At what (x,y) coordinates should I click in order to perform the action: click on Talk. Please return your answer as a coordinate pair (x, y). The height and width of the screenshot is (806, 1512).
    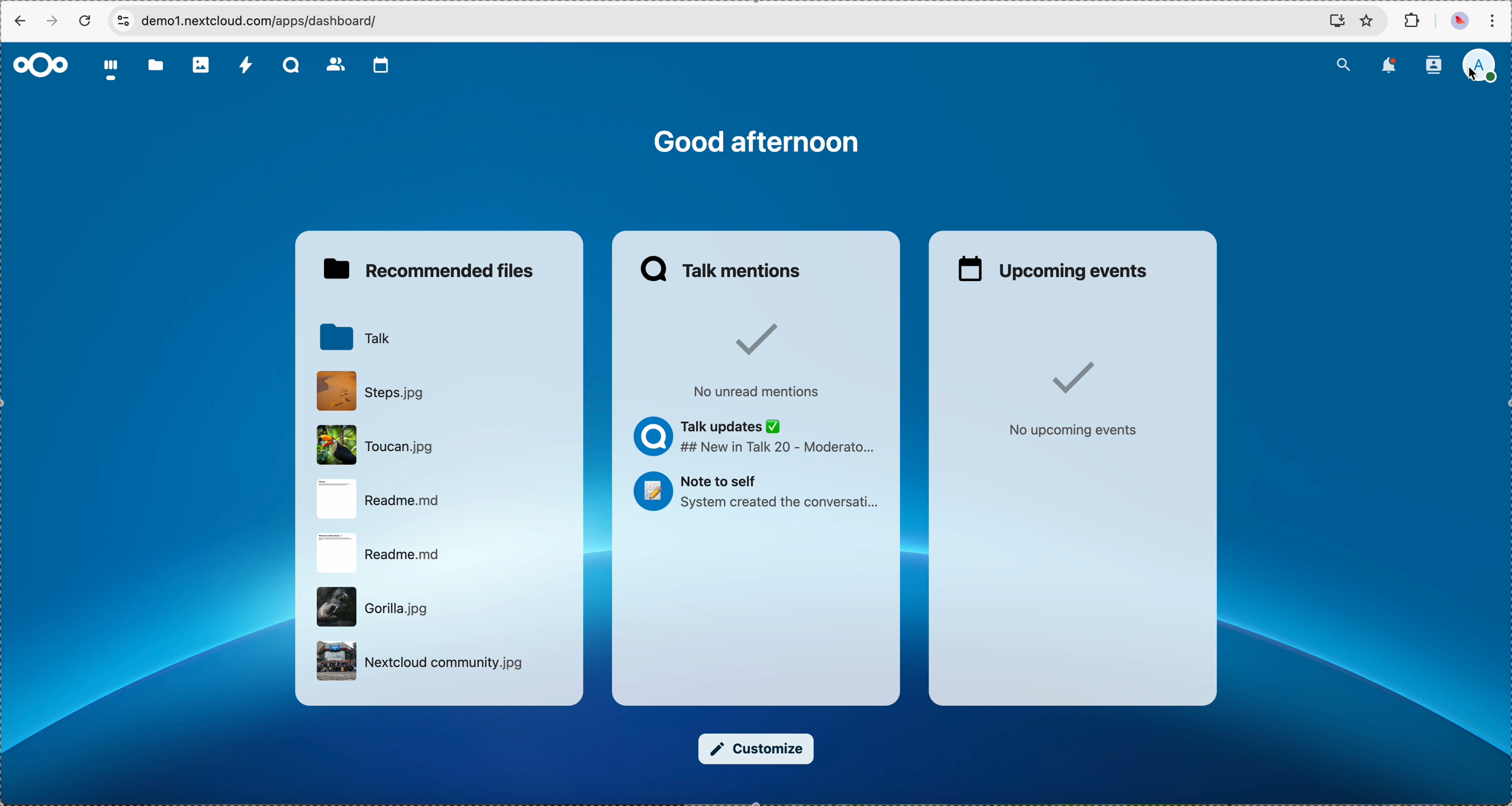
    Looking at the image, I should click on (352, 336).